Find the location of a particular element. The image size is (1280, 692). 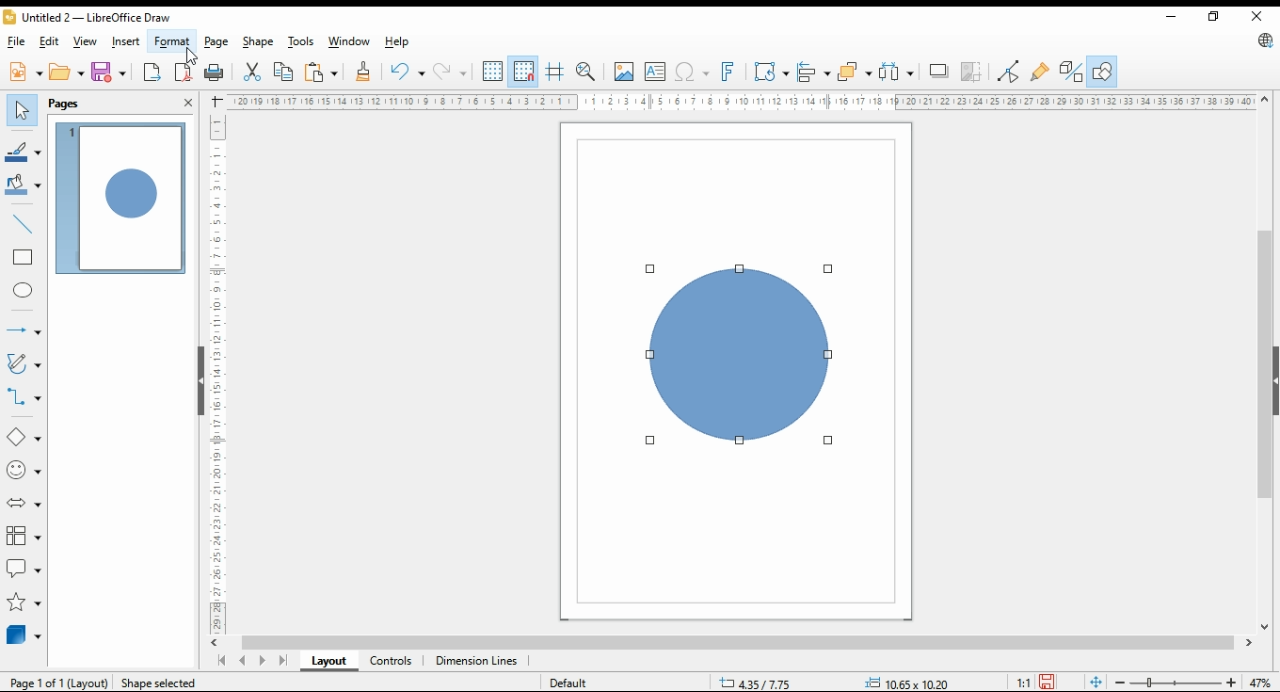

undo is located at coordinates (407, 72).